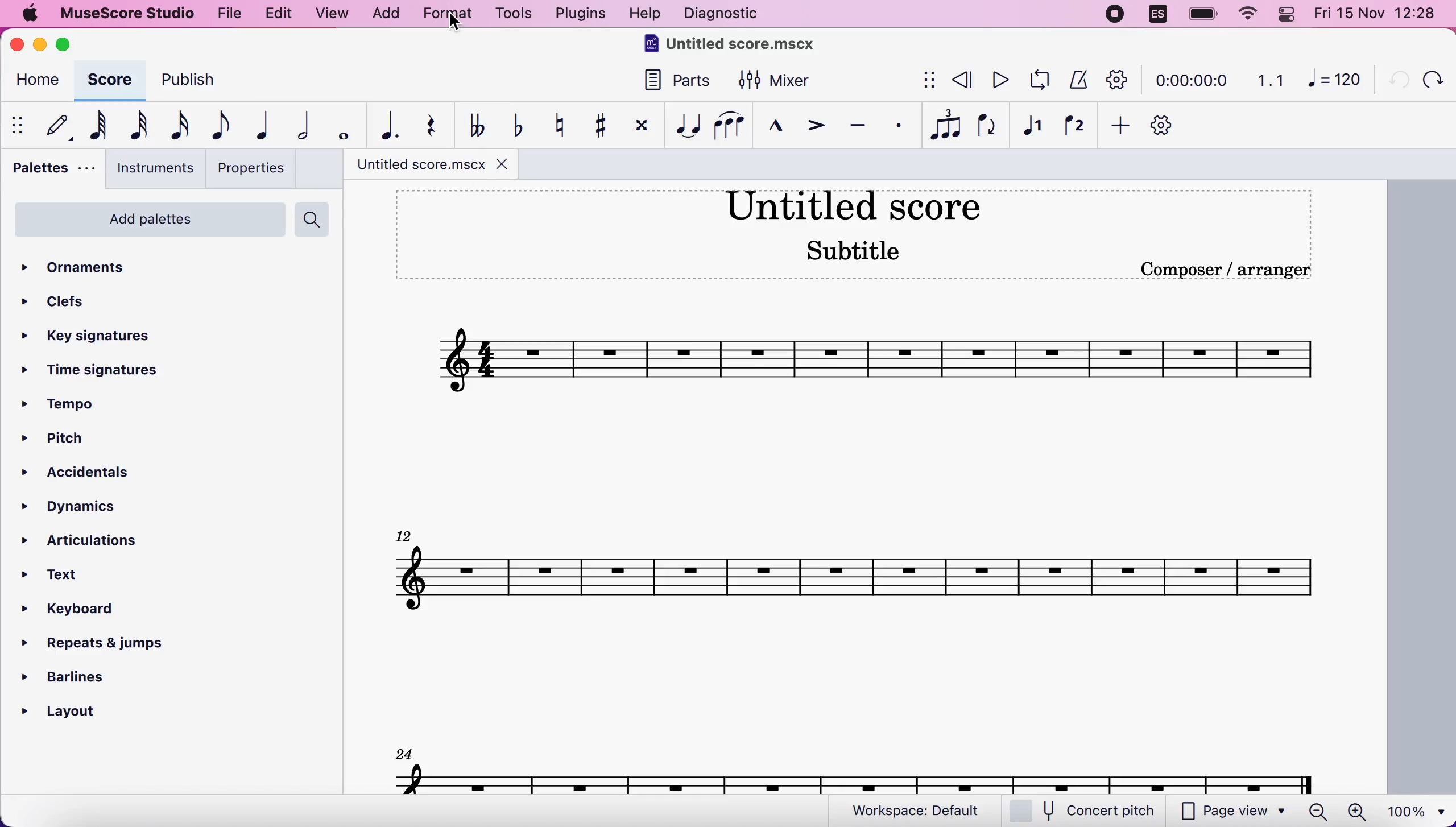 This screenshot has height=827, width=1456. What do you see at coordinates (385, 14) in the screenshot?
I see `add` at bounding box center [385, 14].